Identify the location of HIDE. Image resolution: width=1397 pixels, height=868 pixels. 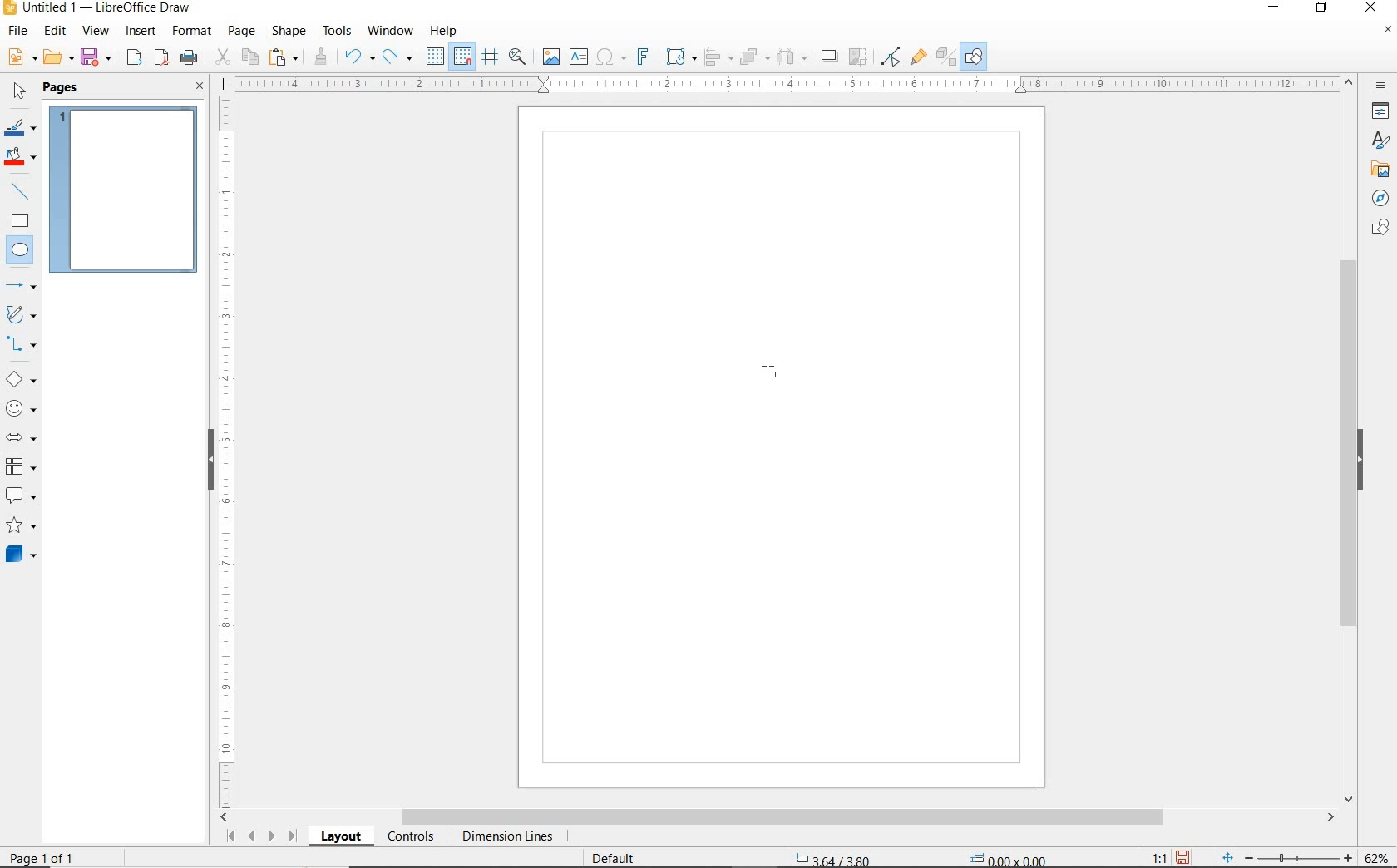
(208, 457).